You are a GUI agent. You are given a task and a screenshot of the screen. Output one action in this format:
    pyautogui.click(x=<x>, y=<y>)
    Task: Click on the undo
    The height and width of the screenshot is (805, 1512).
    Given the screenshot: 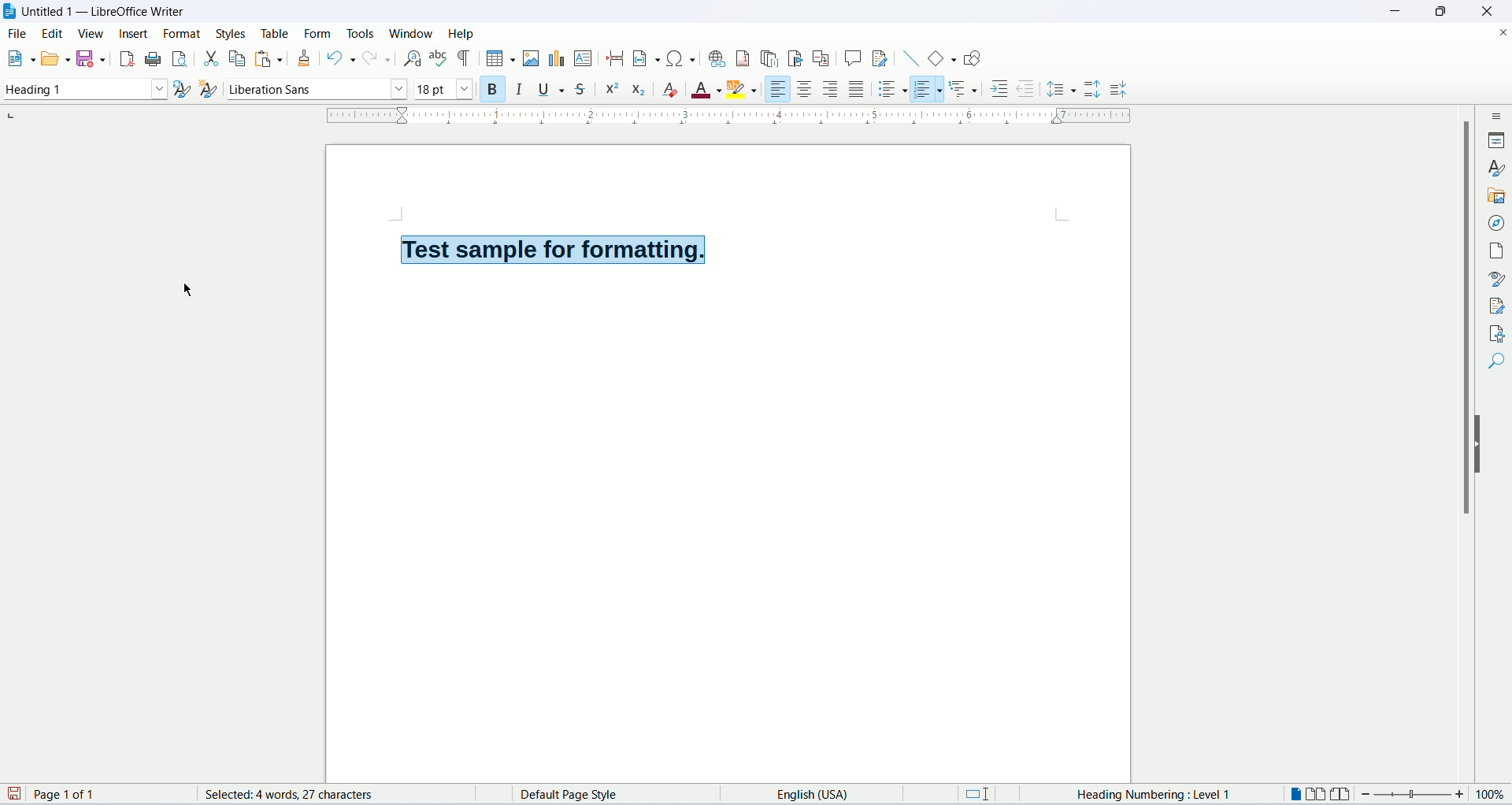 What is the action you would take?
    pyautogui.click(x=339, y=58)
    